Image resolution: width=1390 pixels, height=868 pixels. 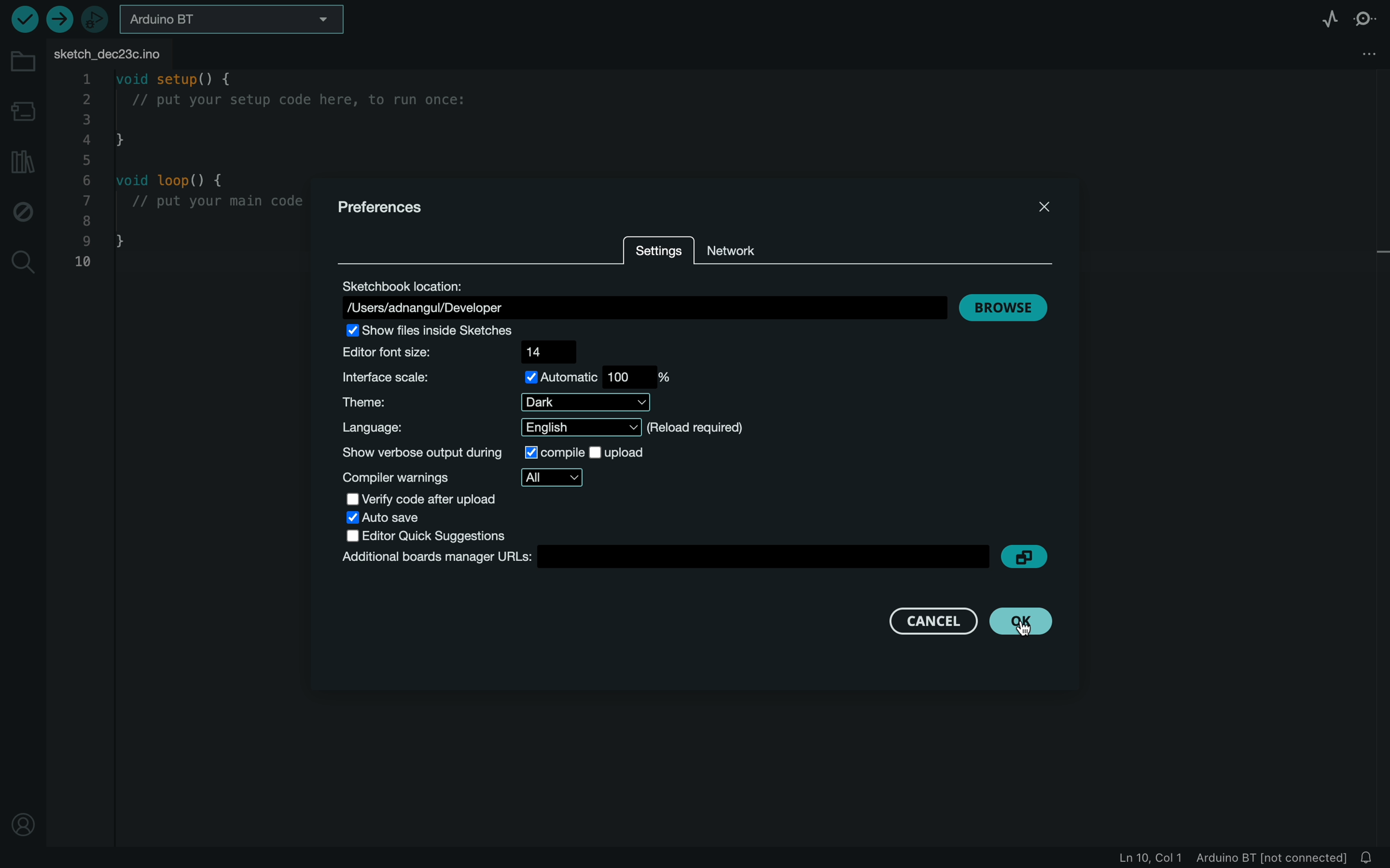 What do you see at coordinates (1372, 858) in the screenshot?
I see `notification` at bounding box center [1372, 858].